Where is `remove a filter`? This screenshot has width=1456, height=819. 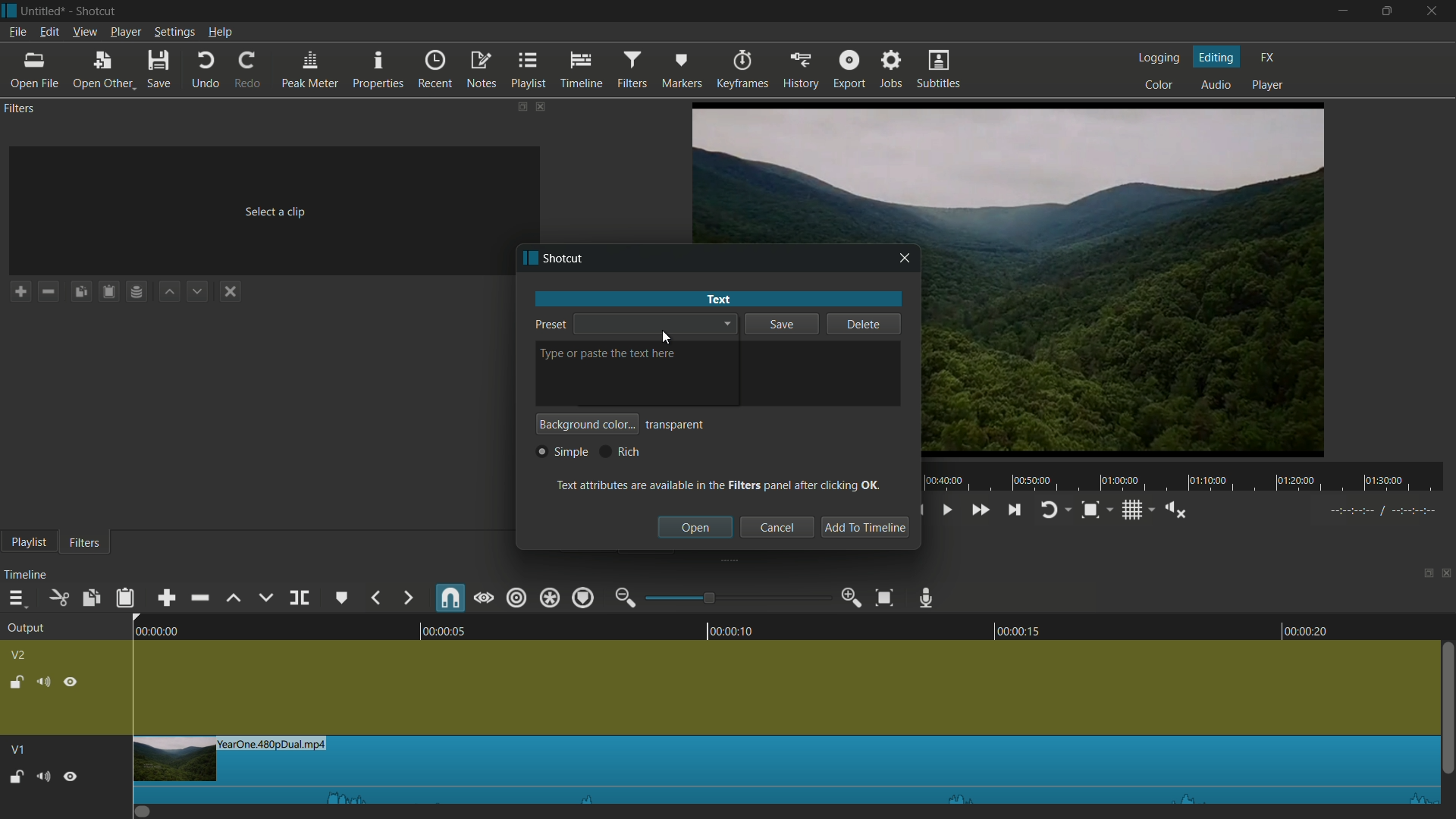
remove a filter is located at coordinates (49, 291).